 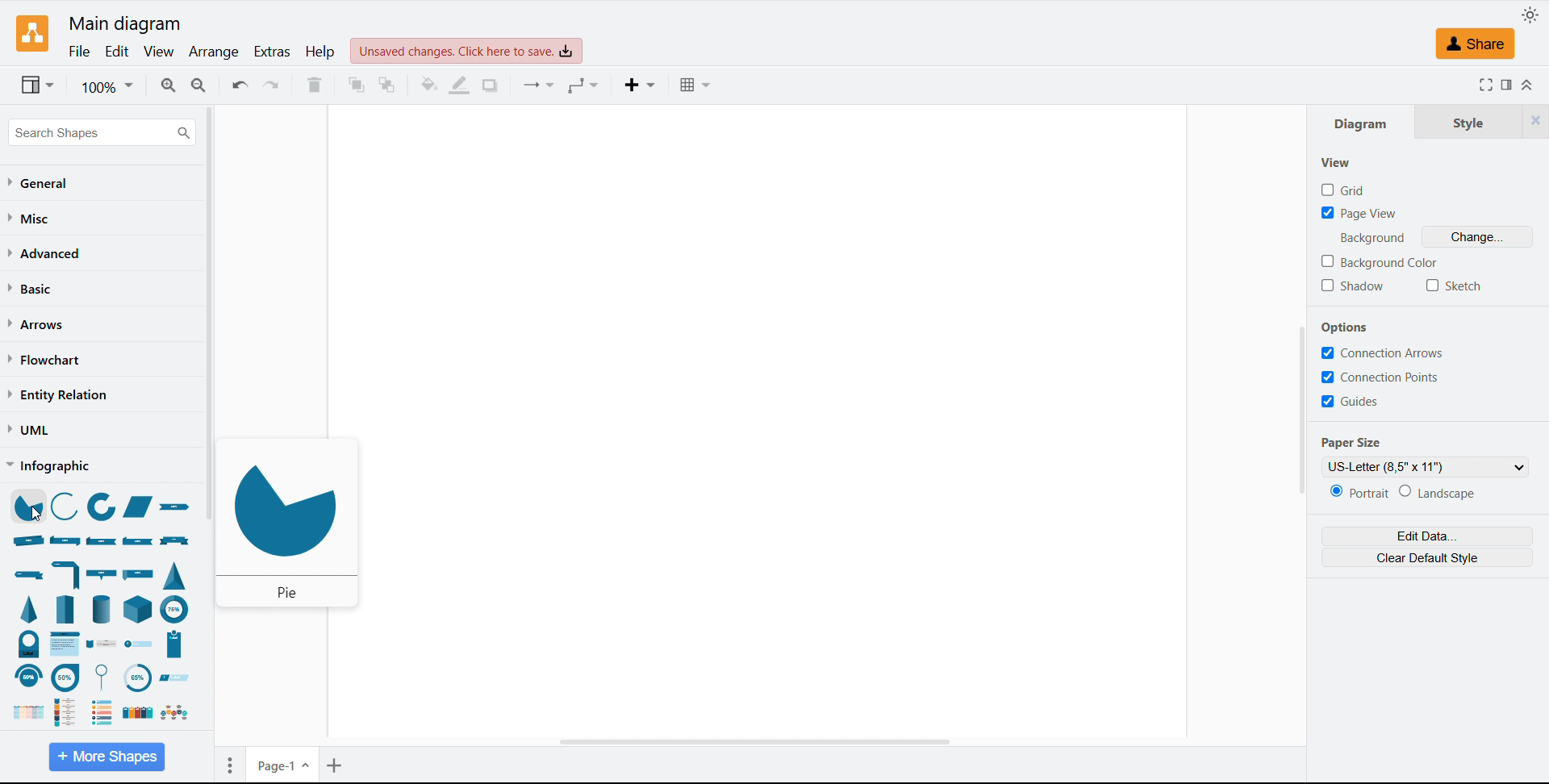 What do you see at coordinates (1363, 123) in the screenshot?
I see `Diagram ` at bounding box center [1363, 123].